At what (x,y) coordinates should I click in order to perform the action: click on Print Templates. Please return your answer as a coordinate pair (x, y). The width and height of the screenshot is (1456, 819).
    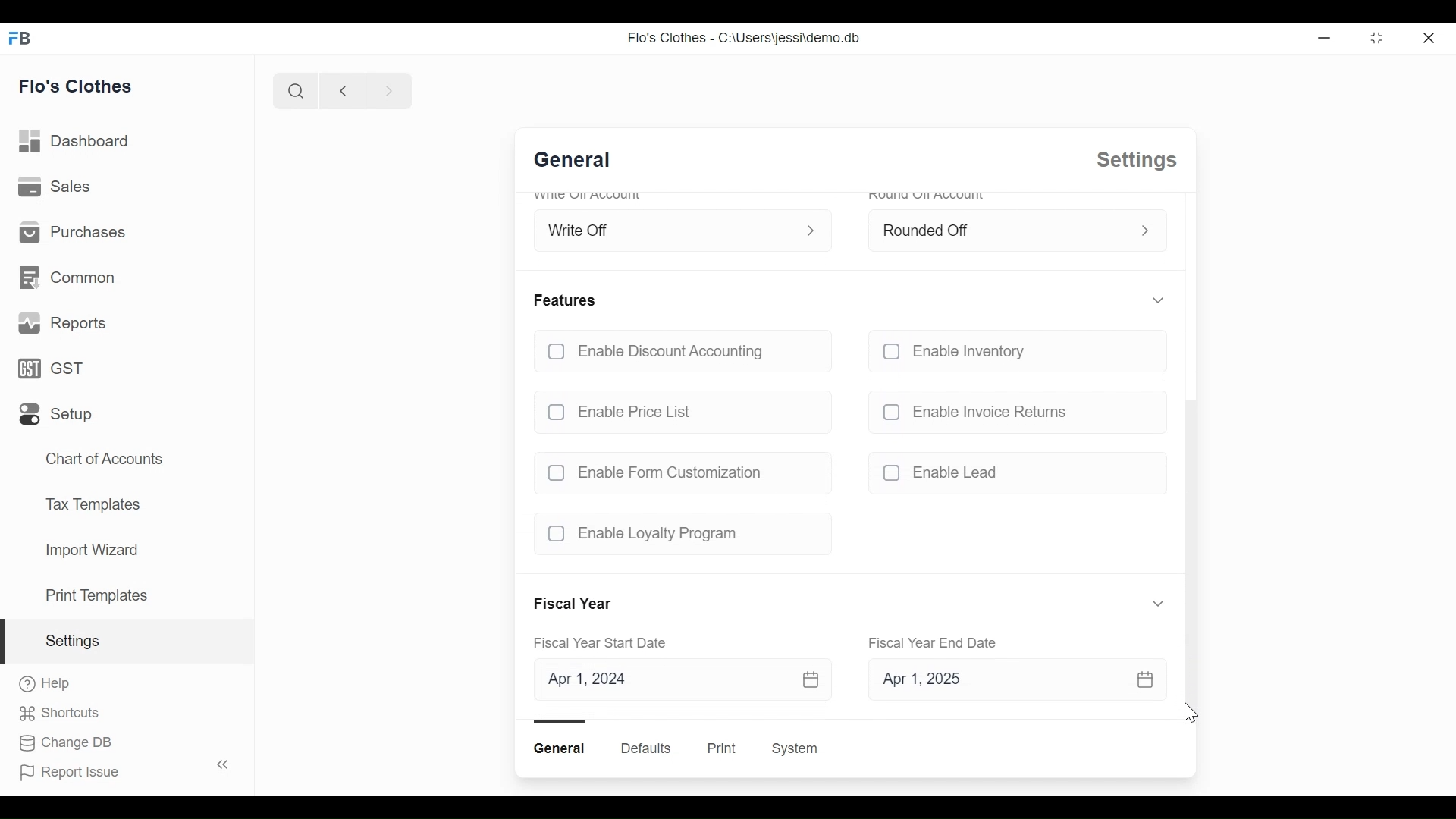
    Looking at the image, I should click on (96, 595).